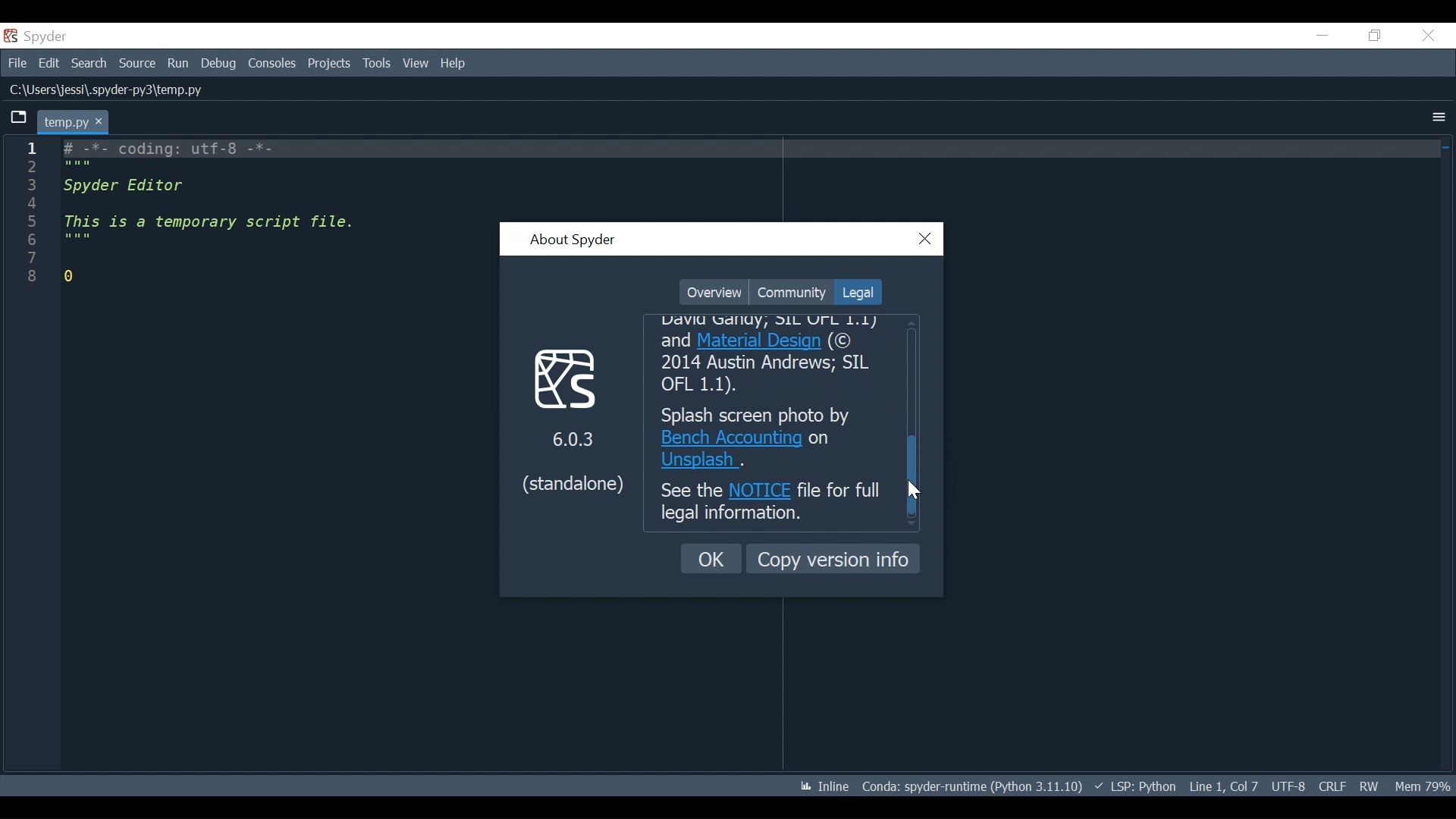 This screenshot has width=1456, height=819. What do you see at coordinates (915, 490) in the screenshot?
I see `Cursor` at bounding box center [915, 490].